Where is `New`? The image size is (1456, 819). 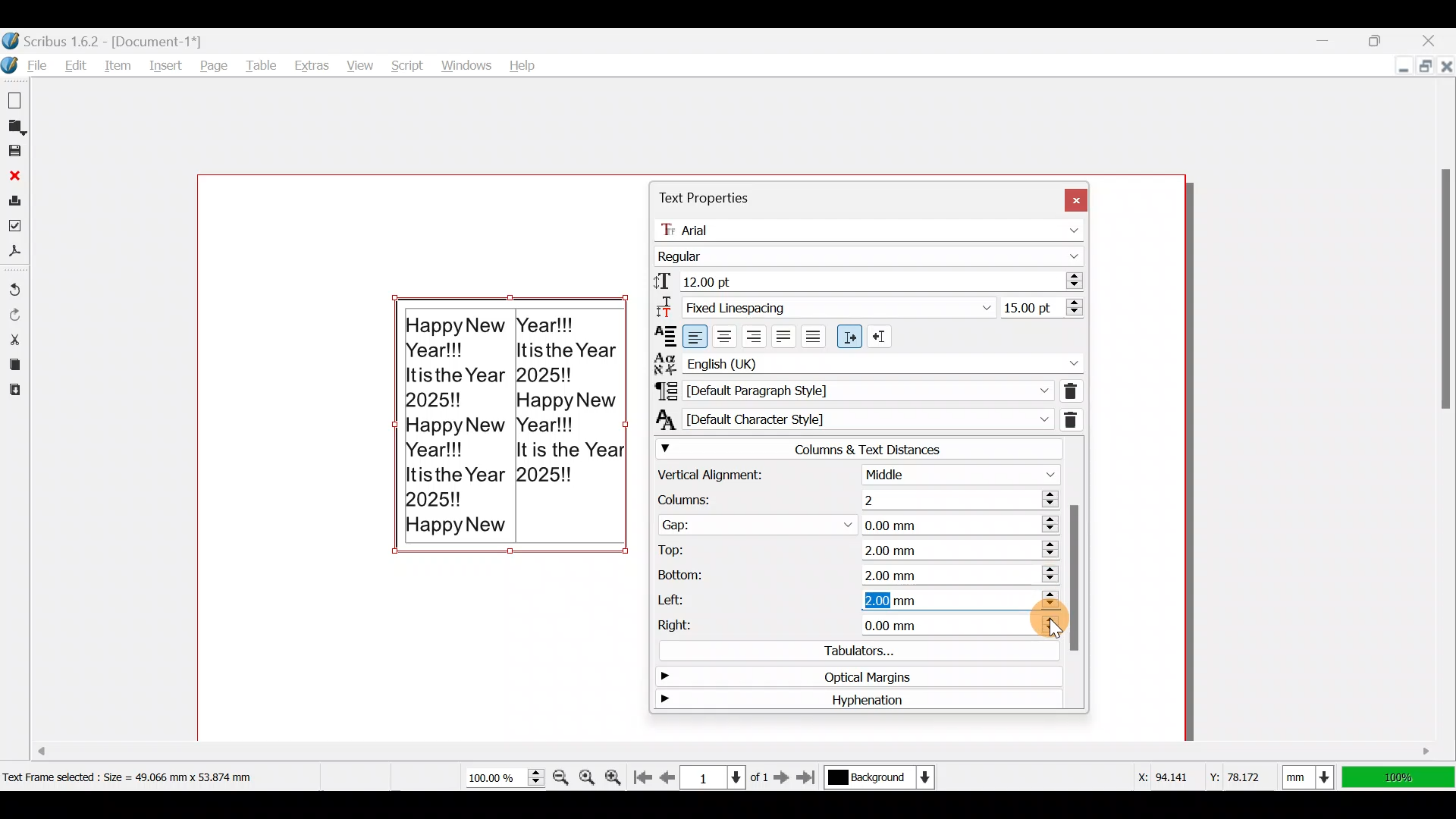 New is located at coordinates (17, 99).